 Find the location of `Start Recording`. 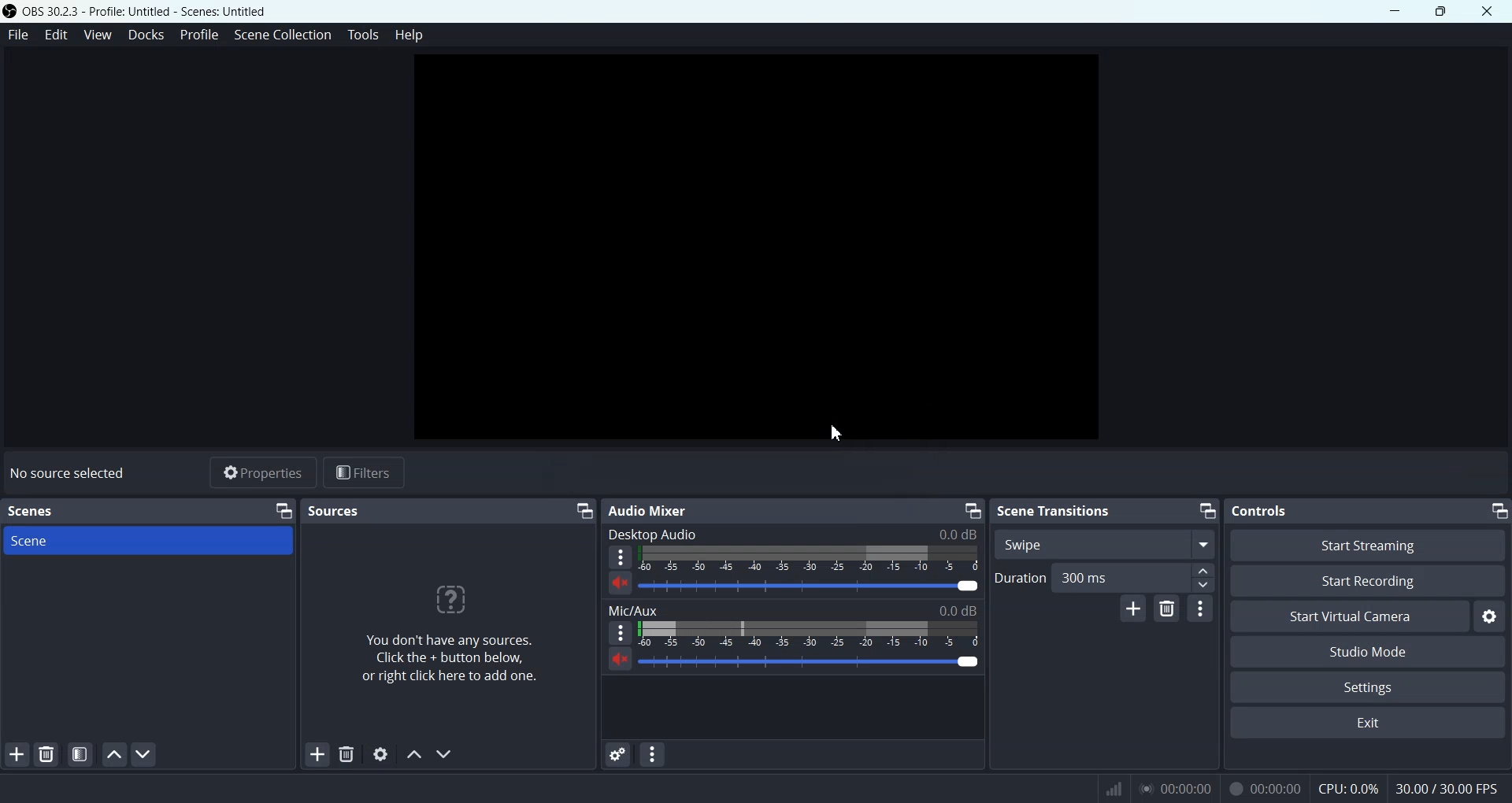

Start Recording is located at coordinates (1369, 581).